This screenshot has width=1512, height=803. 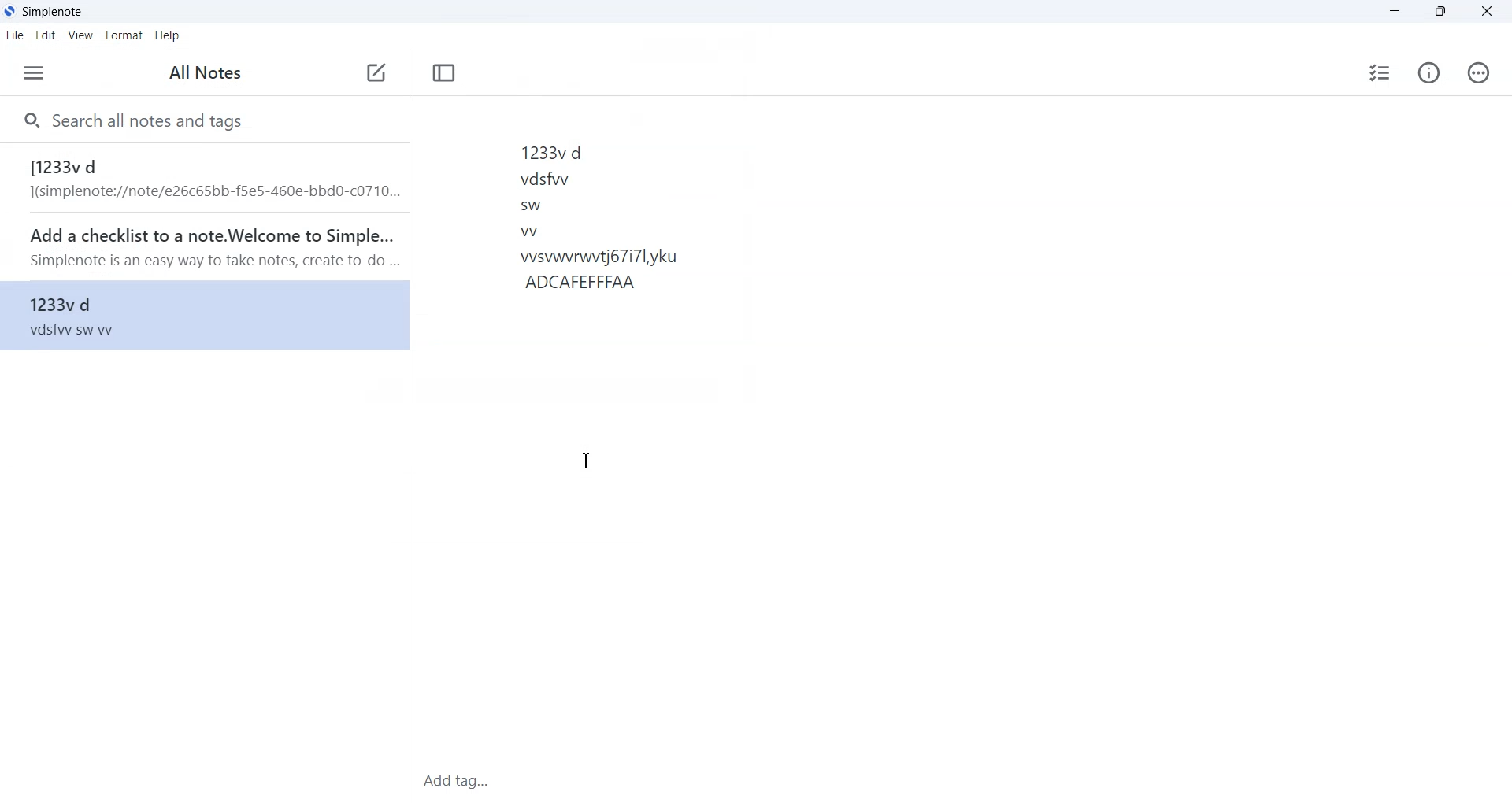 I want to click on Add note, so click(x=376, y=73).